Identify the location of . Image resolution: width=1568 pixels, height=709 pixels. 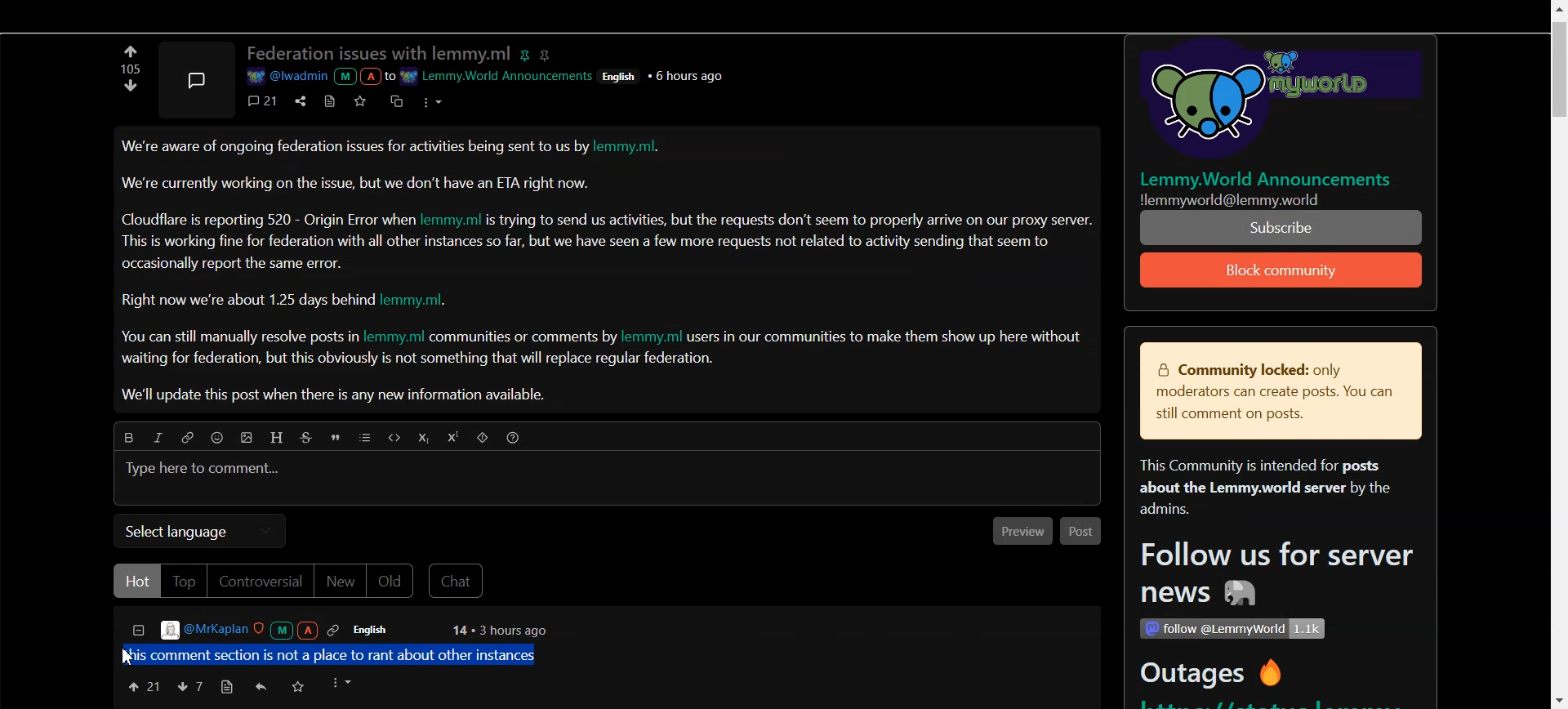
(1252, 199).